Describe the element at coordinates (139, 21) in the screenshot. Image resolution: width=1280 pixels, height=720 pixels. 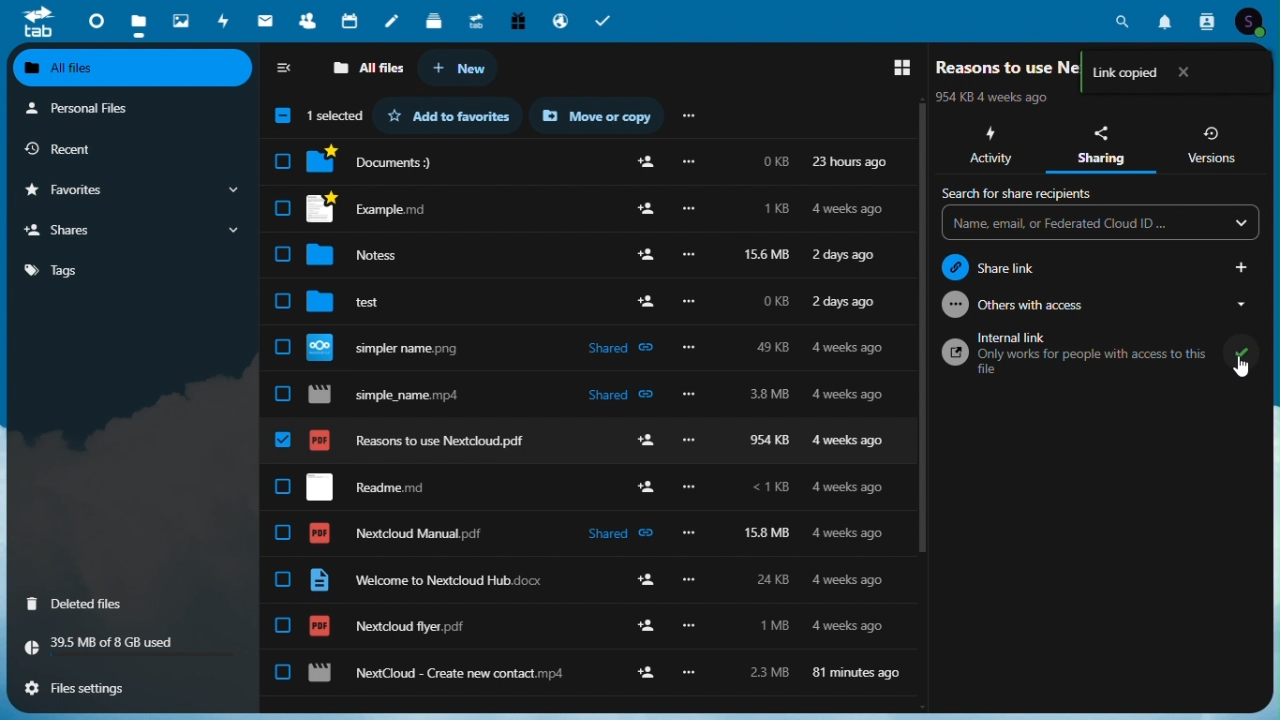
I see `files` at that location.